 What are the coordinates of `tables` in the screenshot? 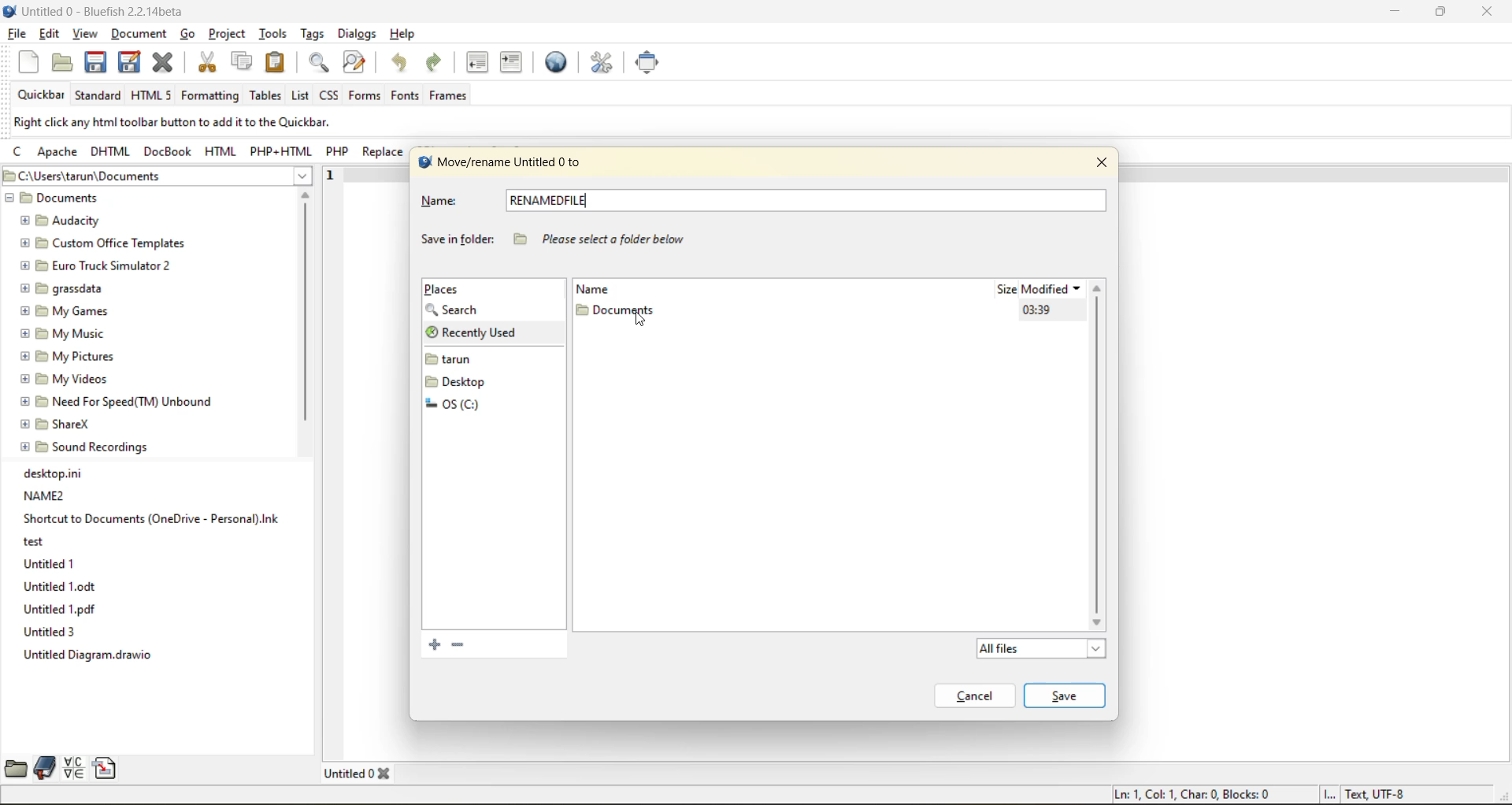 It's located at (267, 98).